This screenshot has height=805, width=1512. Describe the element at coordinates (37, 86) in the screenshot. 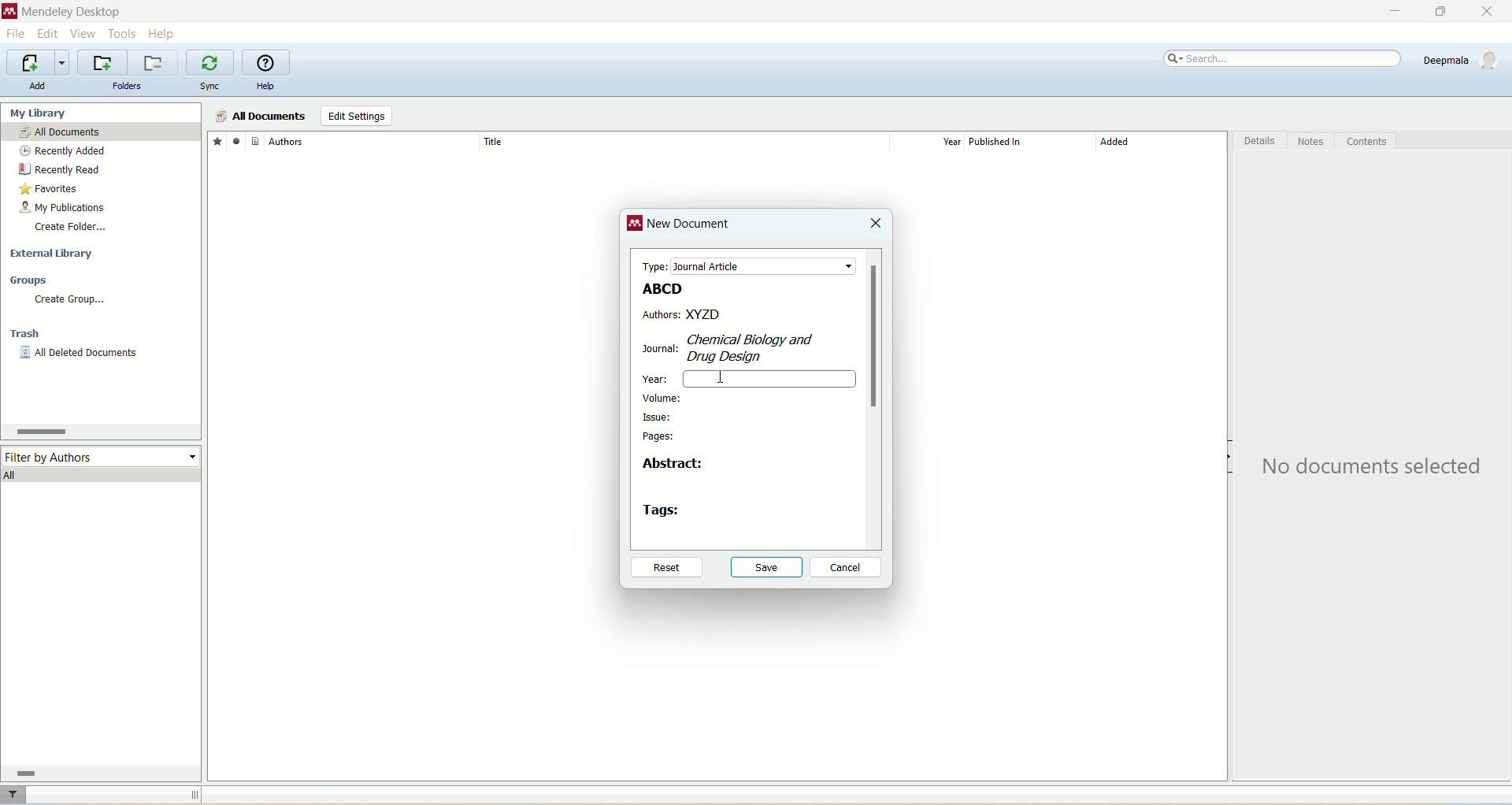

I see `add` at that location.